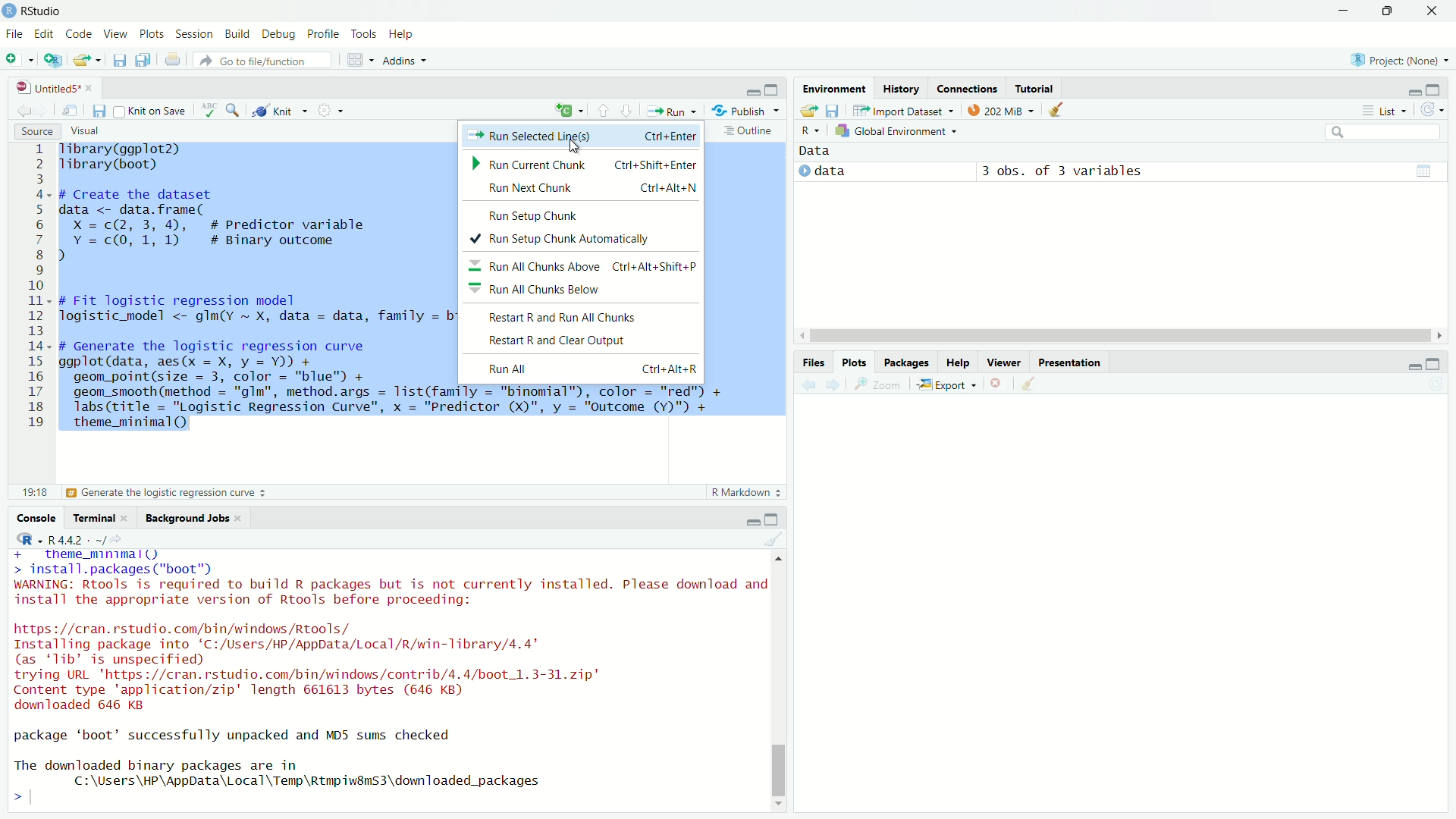  I want to click on Insert a new code/chunk, so click(570, 110).